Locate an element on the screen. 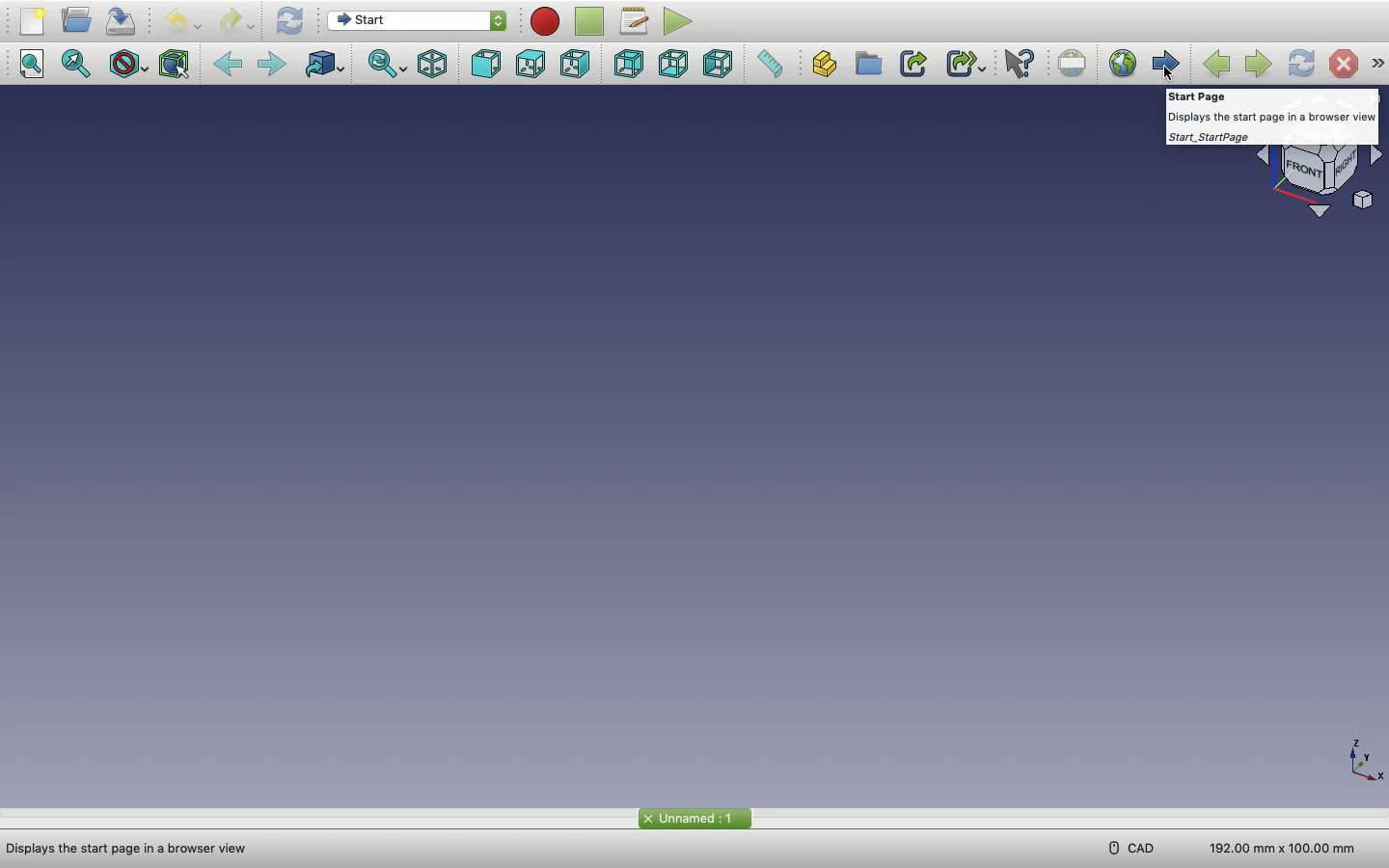 The image size is (1389, 868). Sync view is located at coordinates (388, 66).